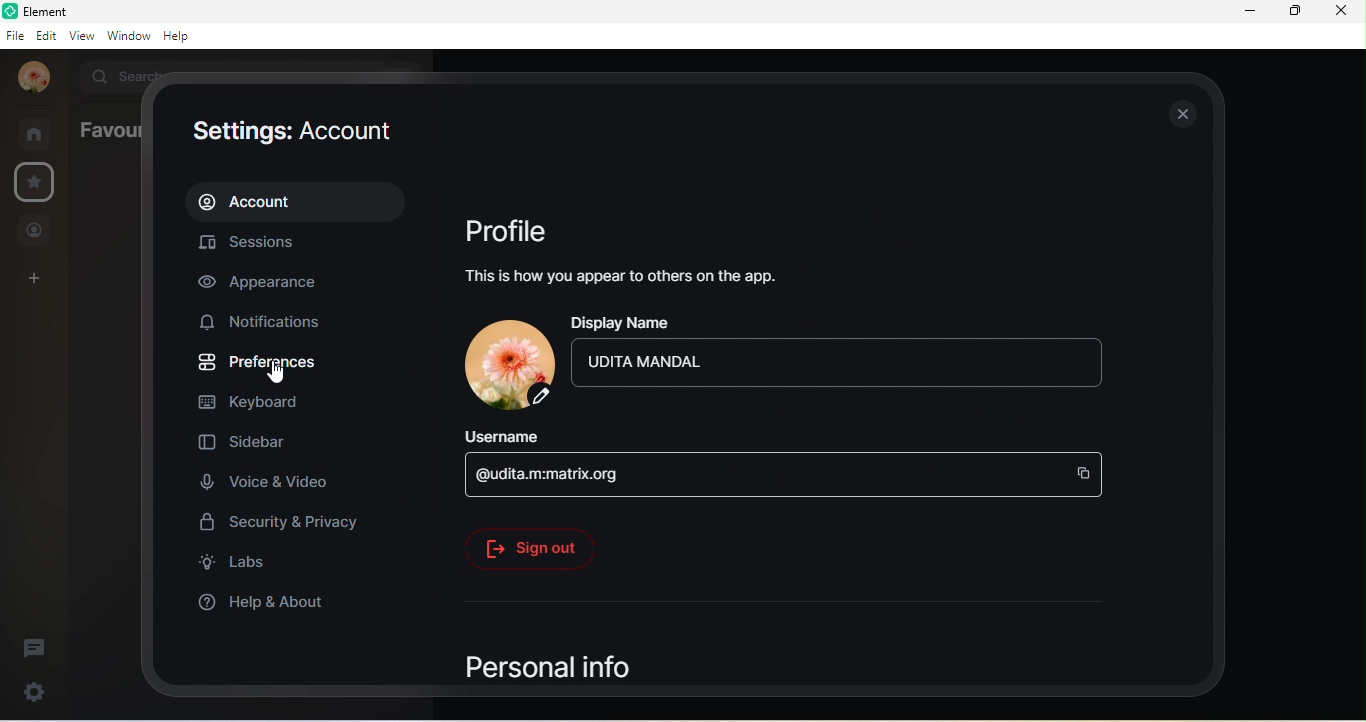 This screenshot has width=1366, height=722. What do you see at coordinates (302, 130) in the screenshot?
I see `settings: account` at bounding box center [302, 130].